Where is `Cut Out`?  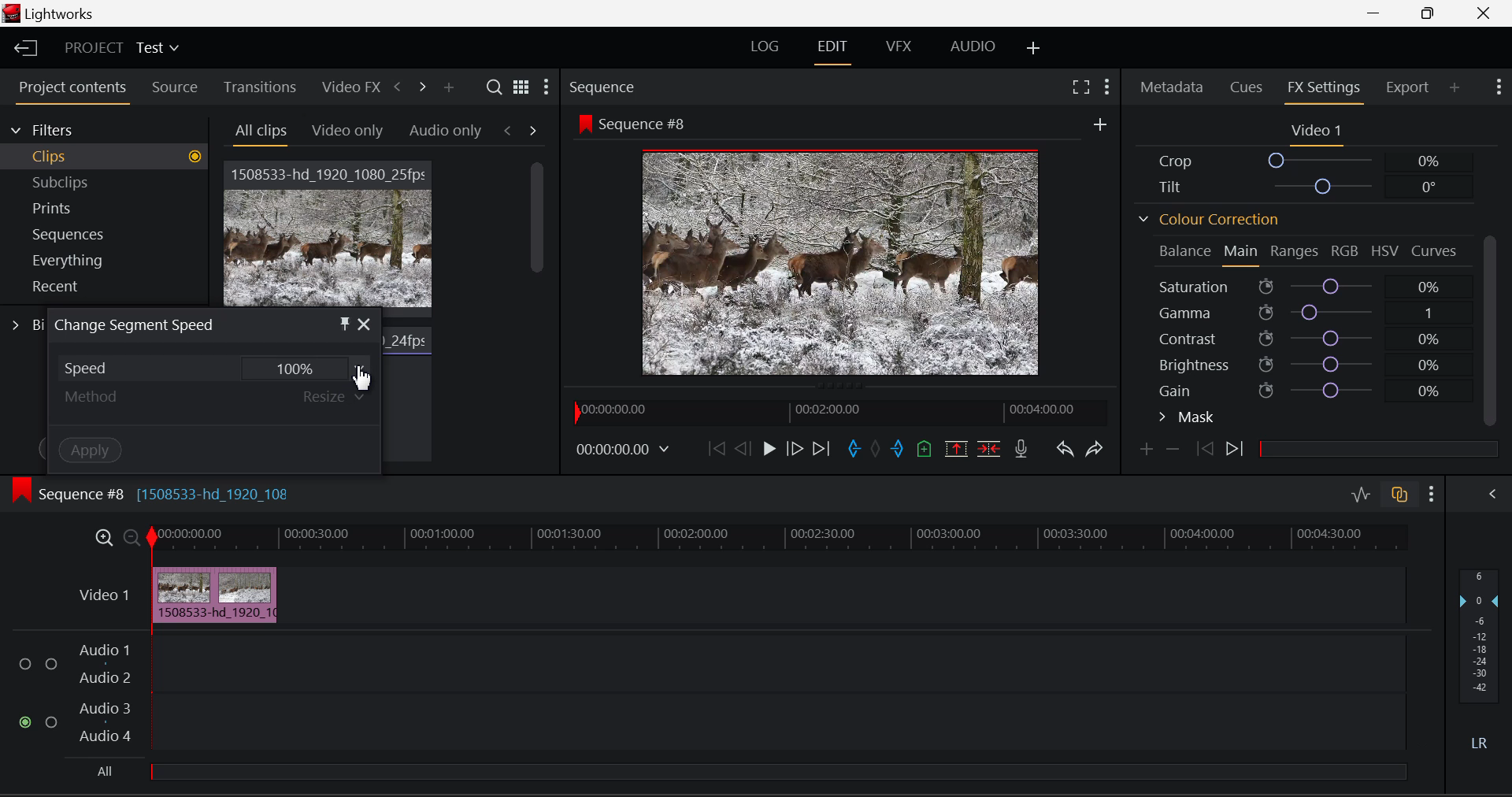
Cut Out is located at coordinates (899, 450).